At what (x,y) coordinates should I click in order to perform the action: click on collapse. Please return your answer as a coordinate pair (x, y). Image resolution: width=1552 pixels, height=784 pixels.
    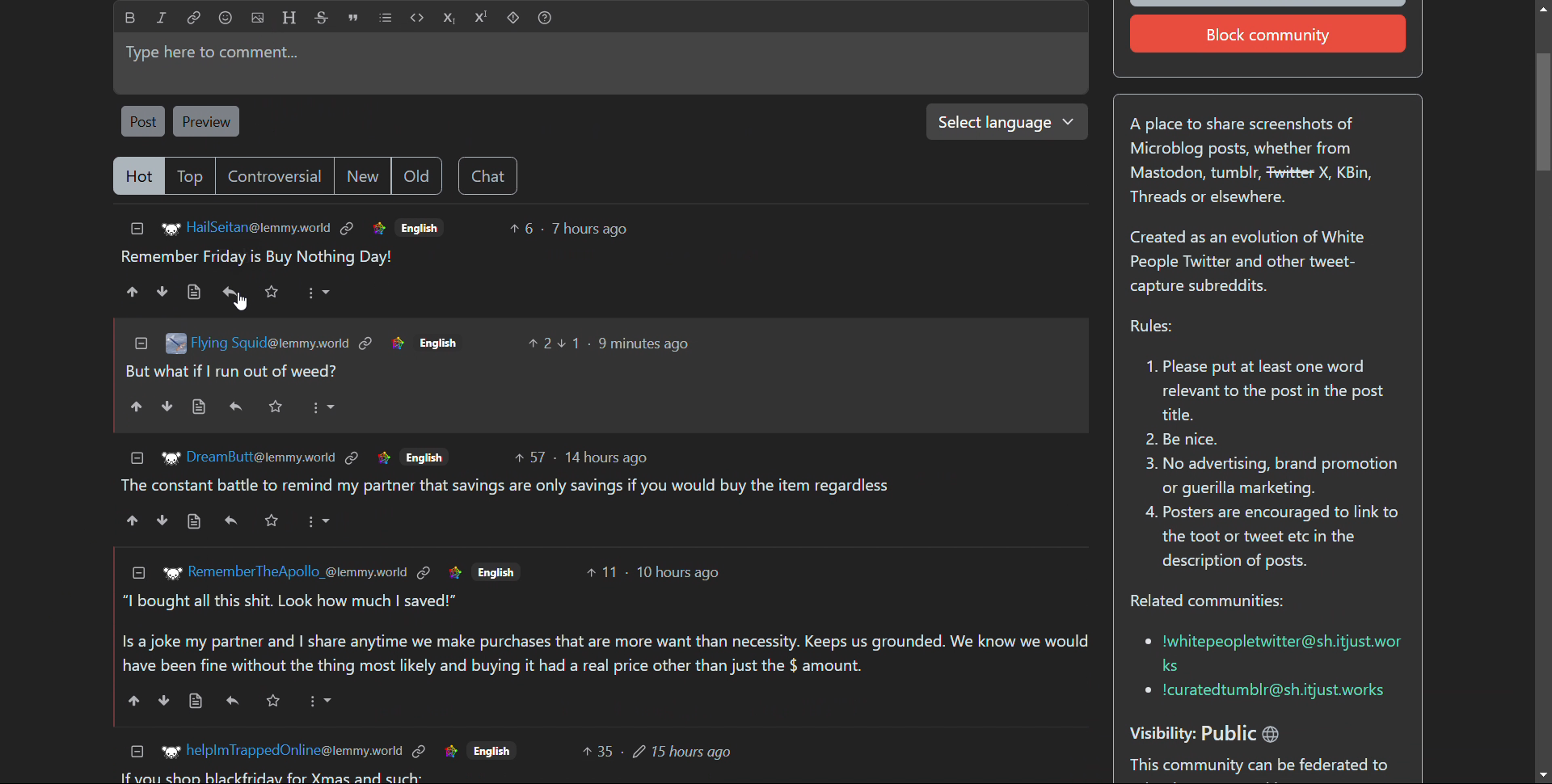
    Looking at the image, I should click on (137, 752).